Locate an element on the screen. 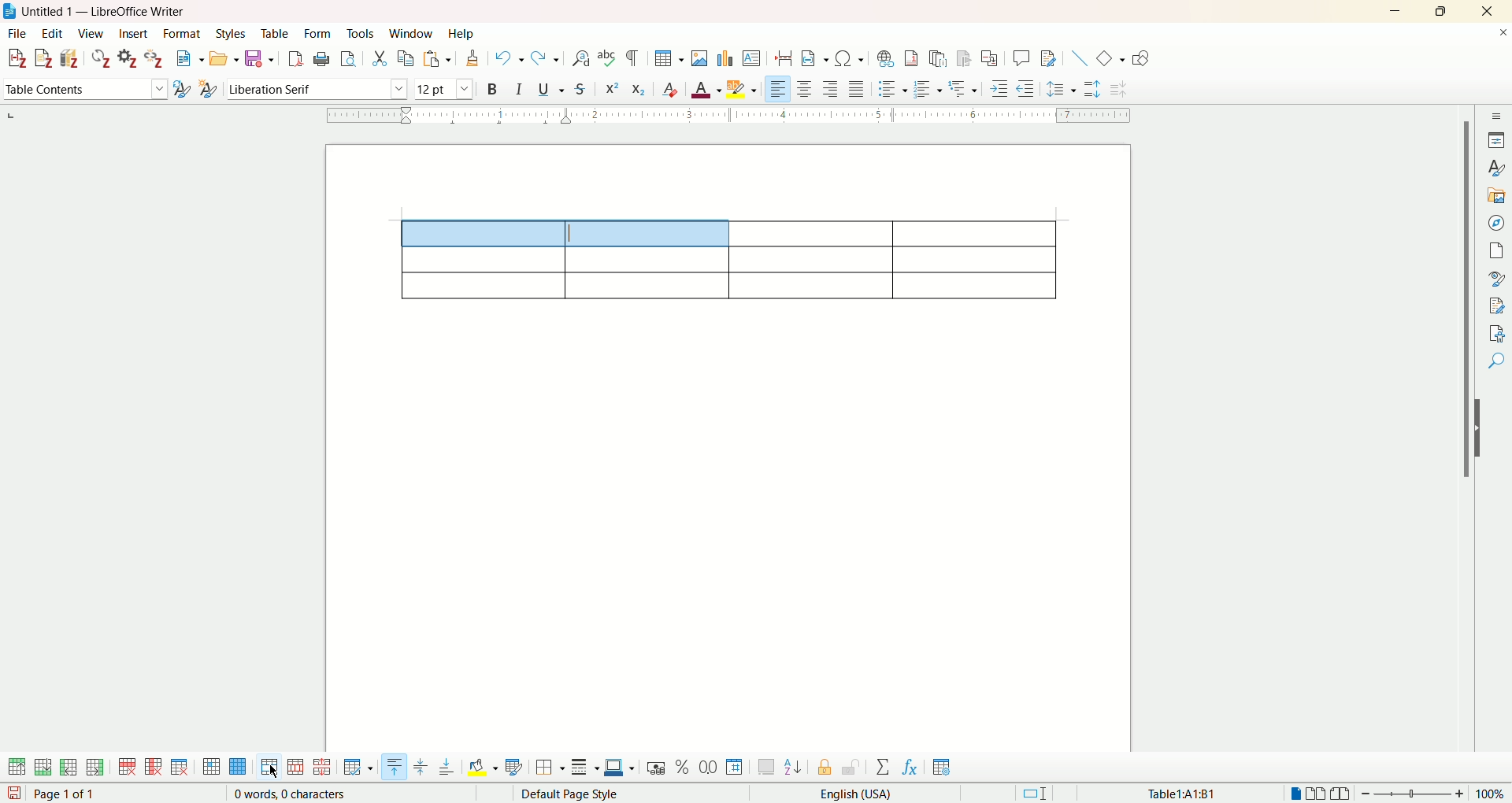 The image size is (1512, 803). protect cell is located at coordinates (825, 764).